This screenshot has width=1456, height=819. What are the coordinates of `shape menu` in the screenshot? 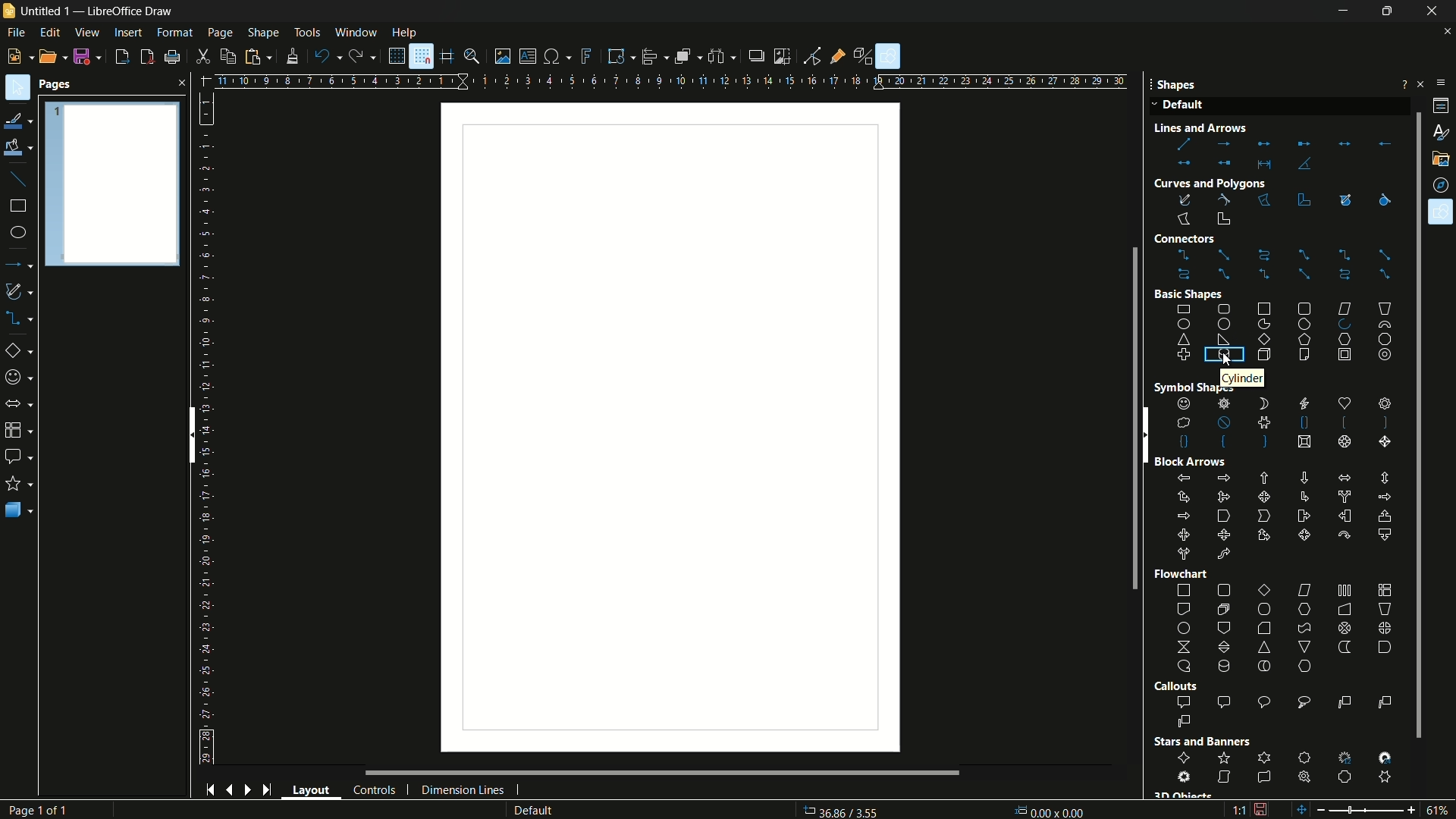 It's located at (265, 33).